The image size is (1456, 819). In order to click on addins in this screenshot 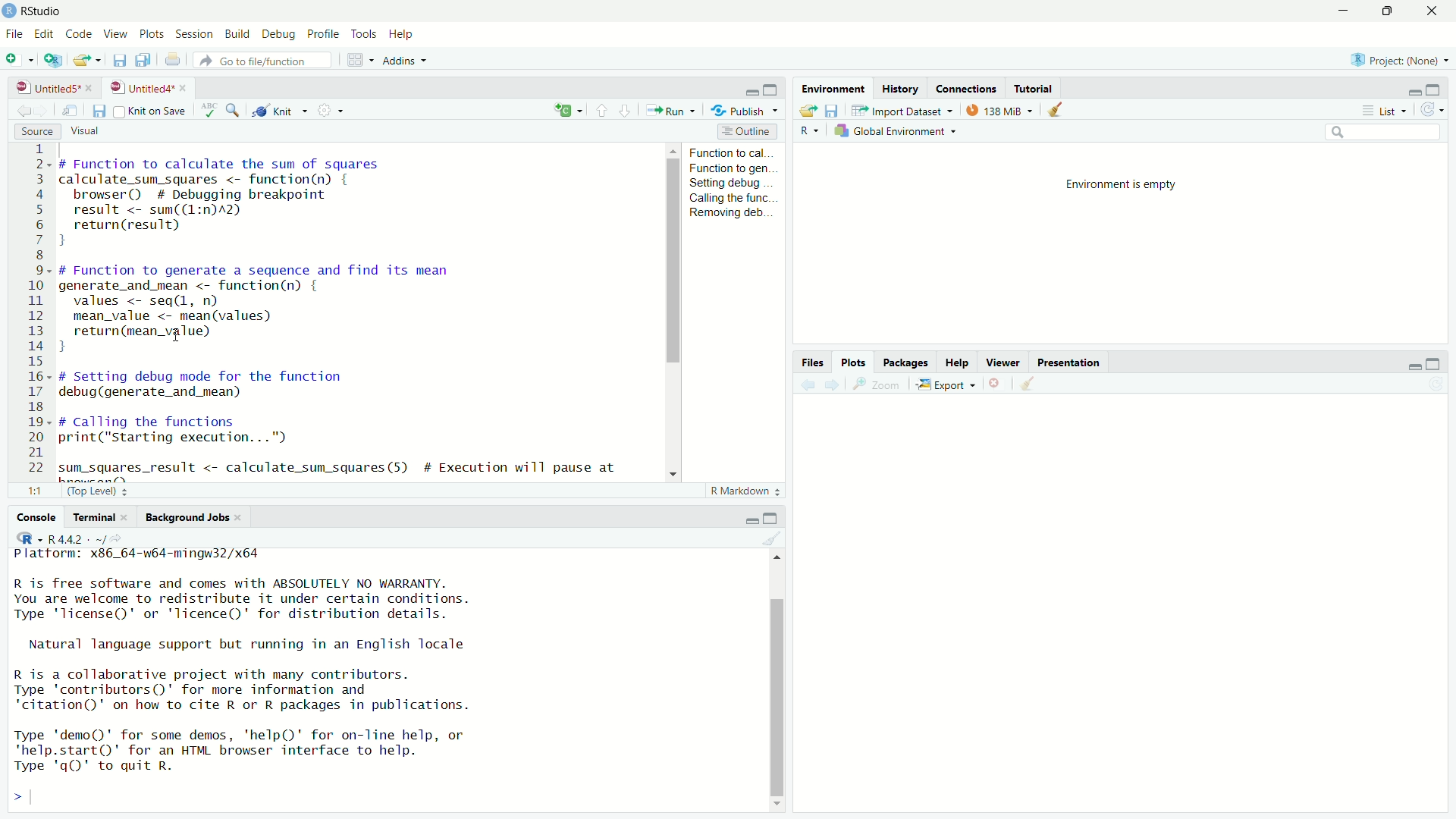, I will do `click(406, 58)`.